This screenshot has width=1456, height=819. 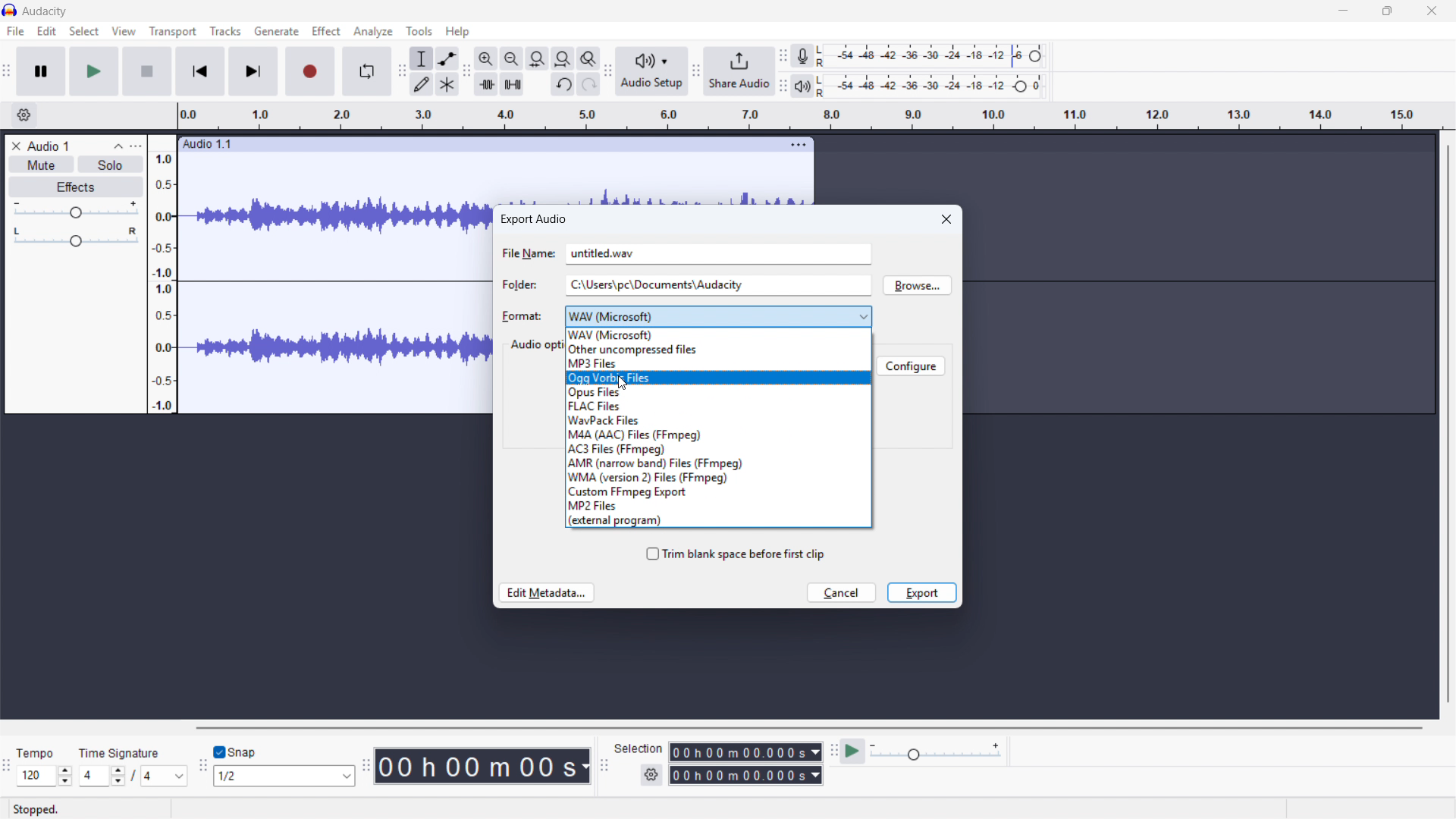 What do you see at coordinates (718, 405) in the screenshot?
I see `FLAC files ` at bounding box center [718, 405].